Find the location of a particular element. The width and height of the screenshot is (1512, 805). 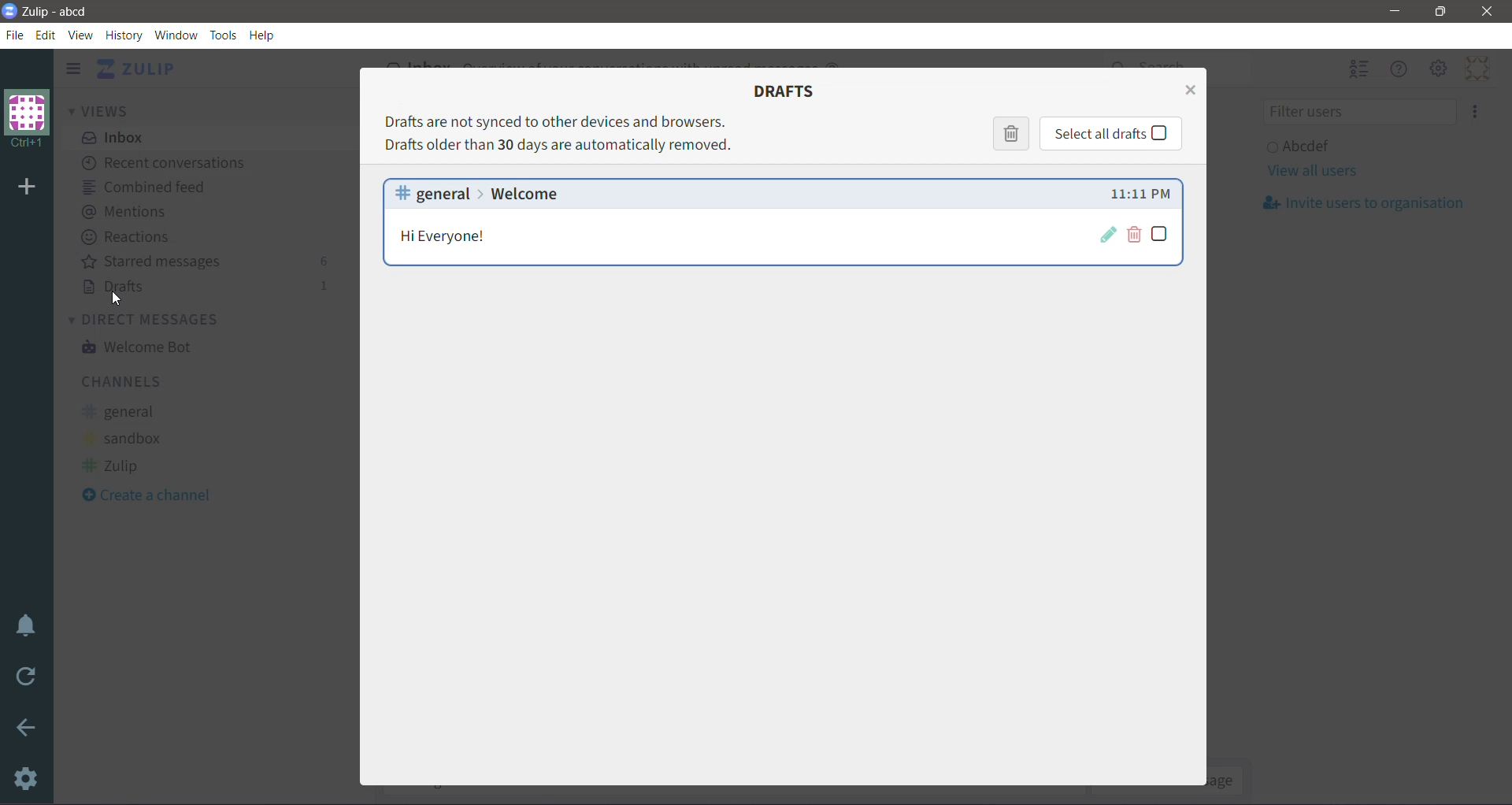

Invite usersto organization is located at coordinates (1369, 203).